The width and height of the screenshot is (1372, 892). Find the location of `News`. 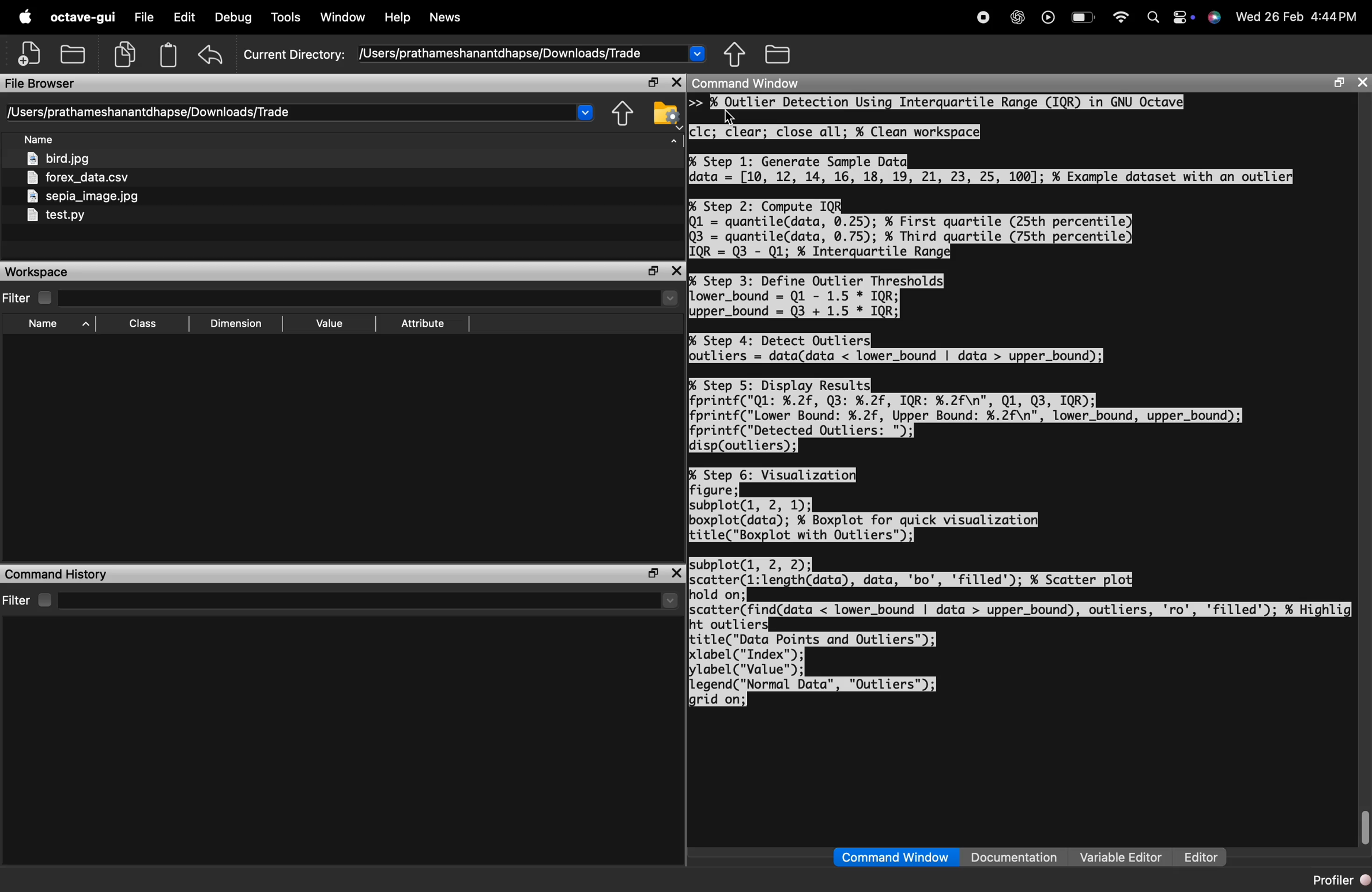

News is located at coordinates (446, 17).